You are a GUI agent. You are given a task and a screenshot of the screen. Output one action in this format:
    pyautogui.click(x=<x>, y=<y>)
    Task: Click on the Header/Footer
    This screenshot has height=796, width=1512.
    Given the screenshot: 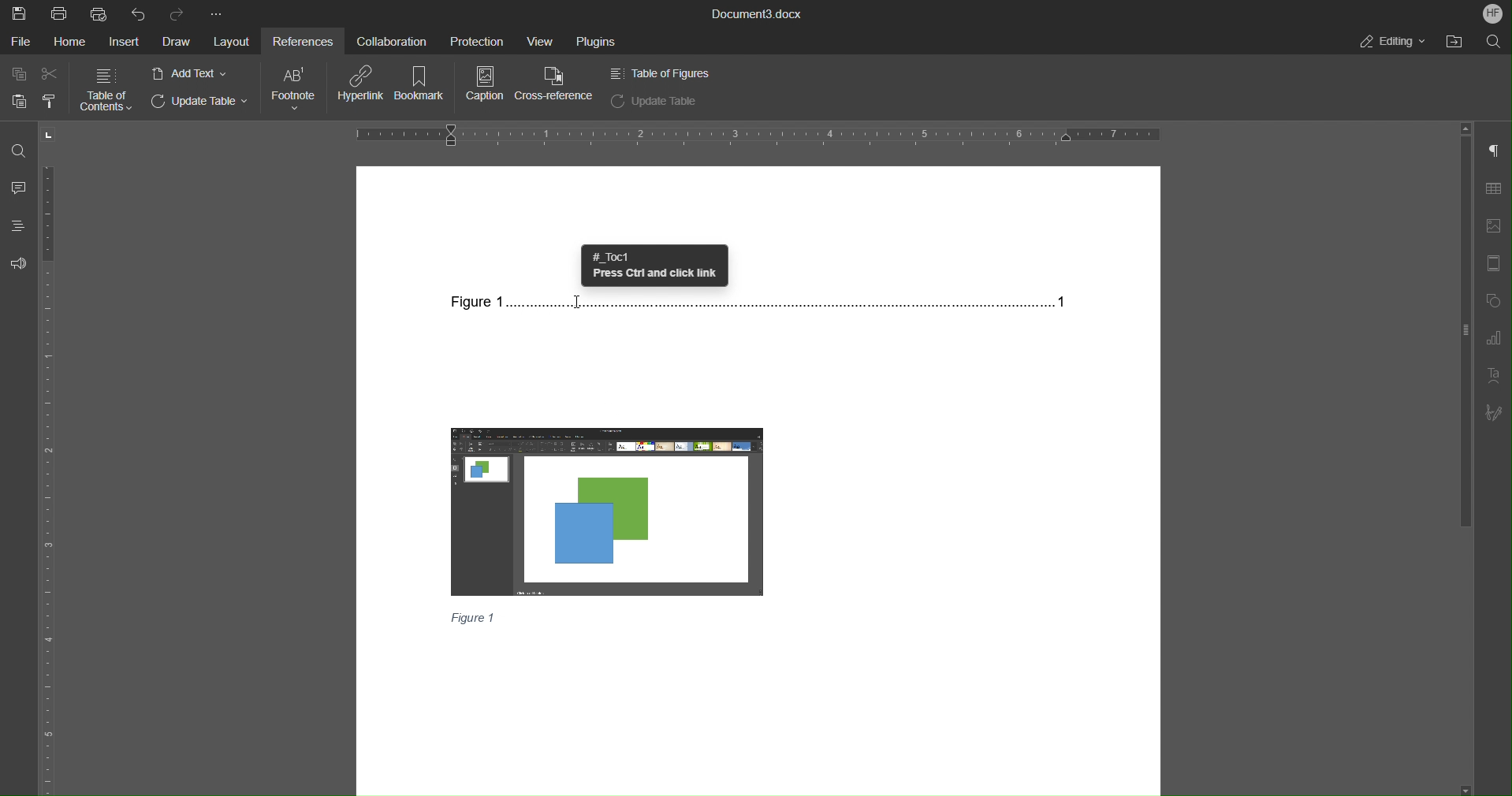 What is the action you would take?
    pyautogui.click(x=1496, y=265)
    